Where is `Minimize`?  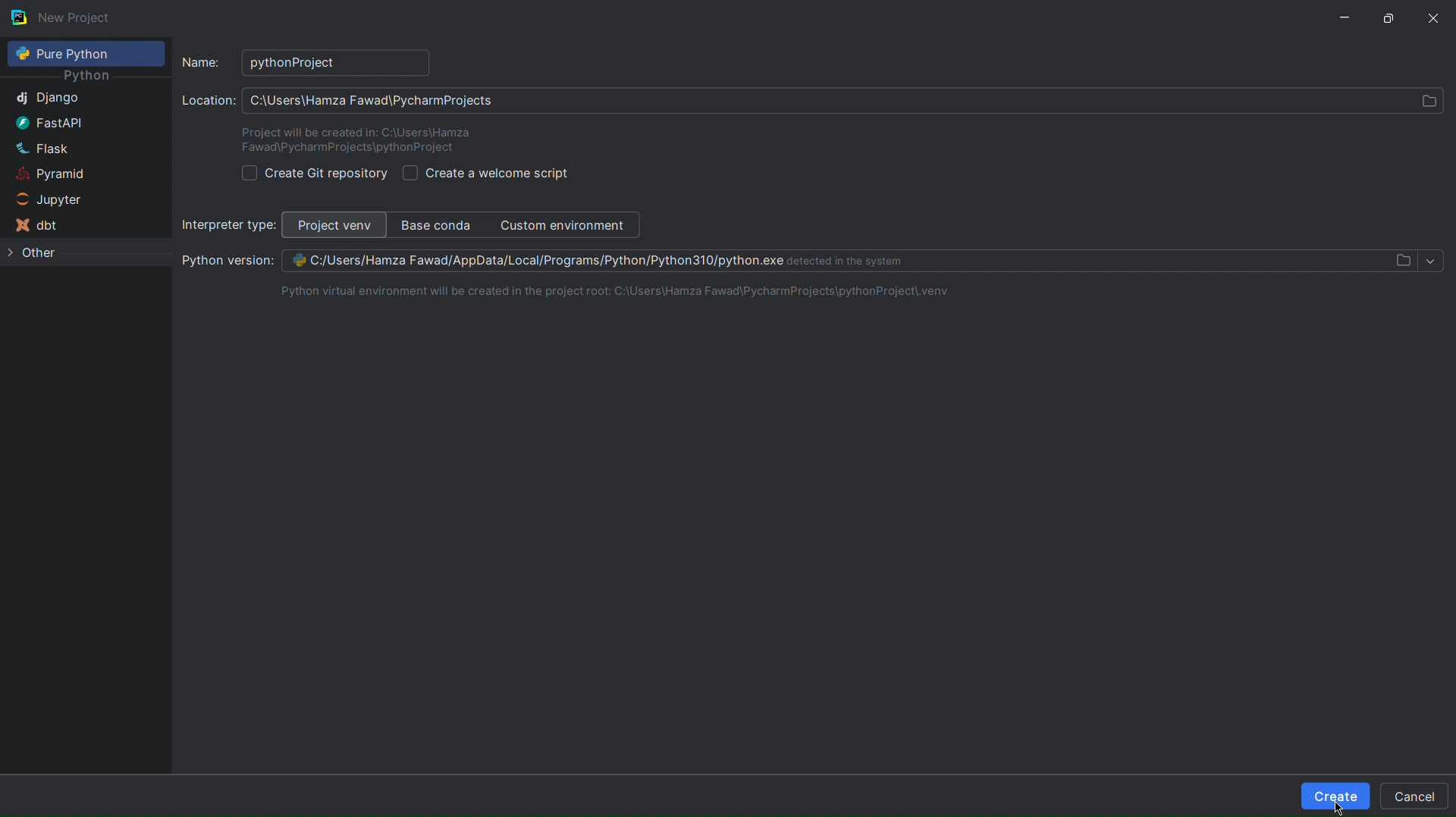
Minimize is located at coordinates (1345, 16).